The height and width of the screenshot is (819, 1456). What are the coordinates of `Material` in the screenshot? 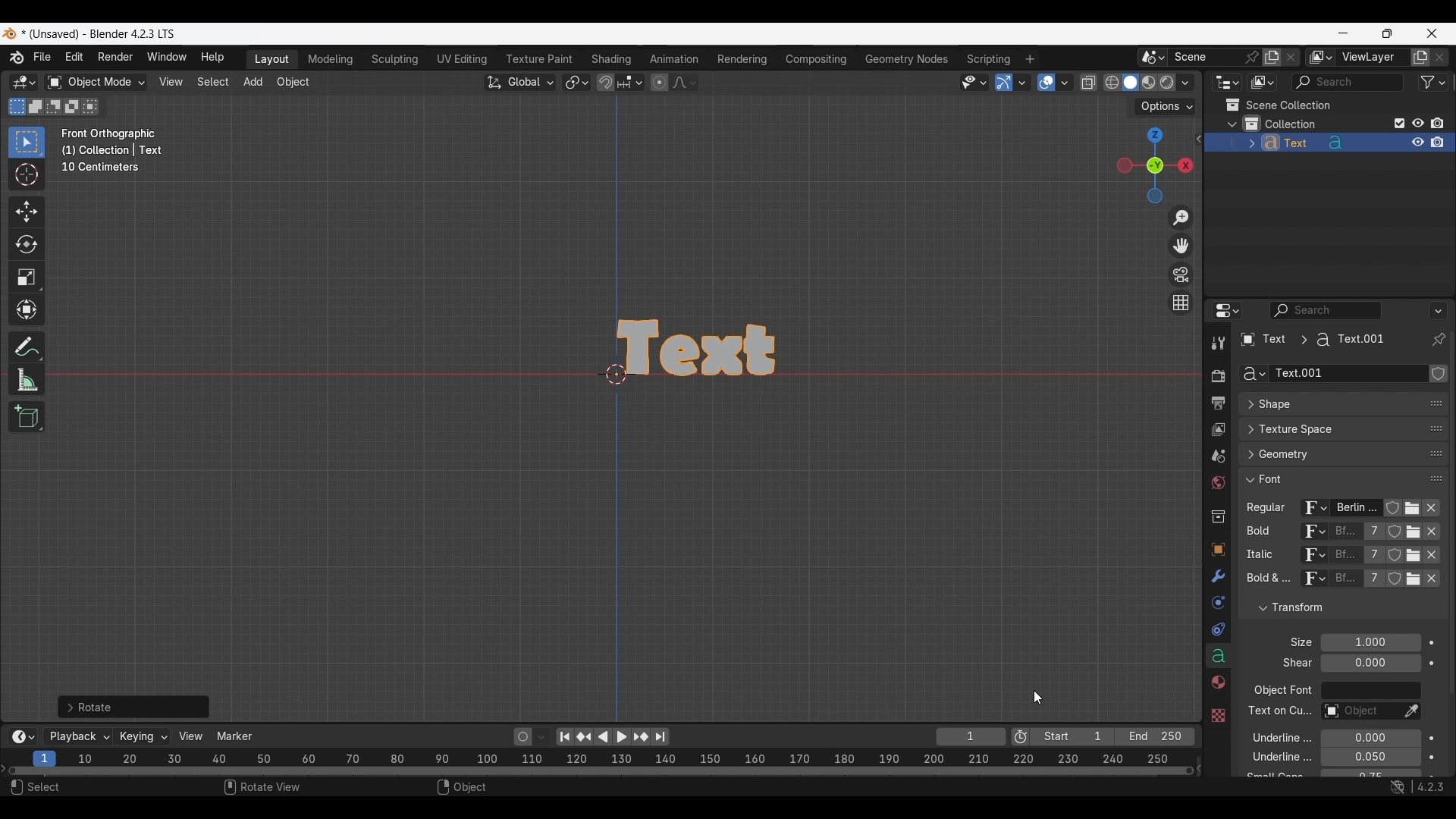 It's located at (1216, 683).